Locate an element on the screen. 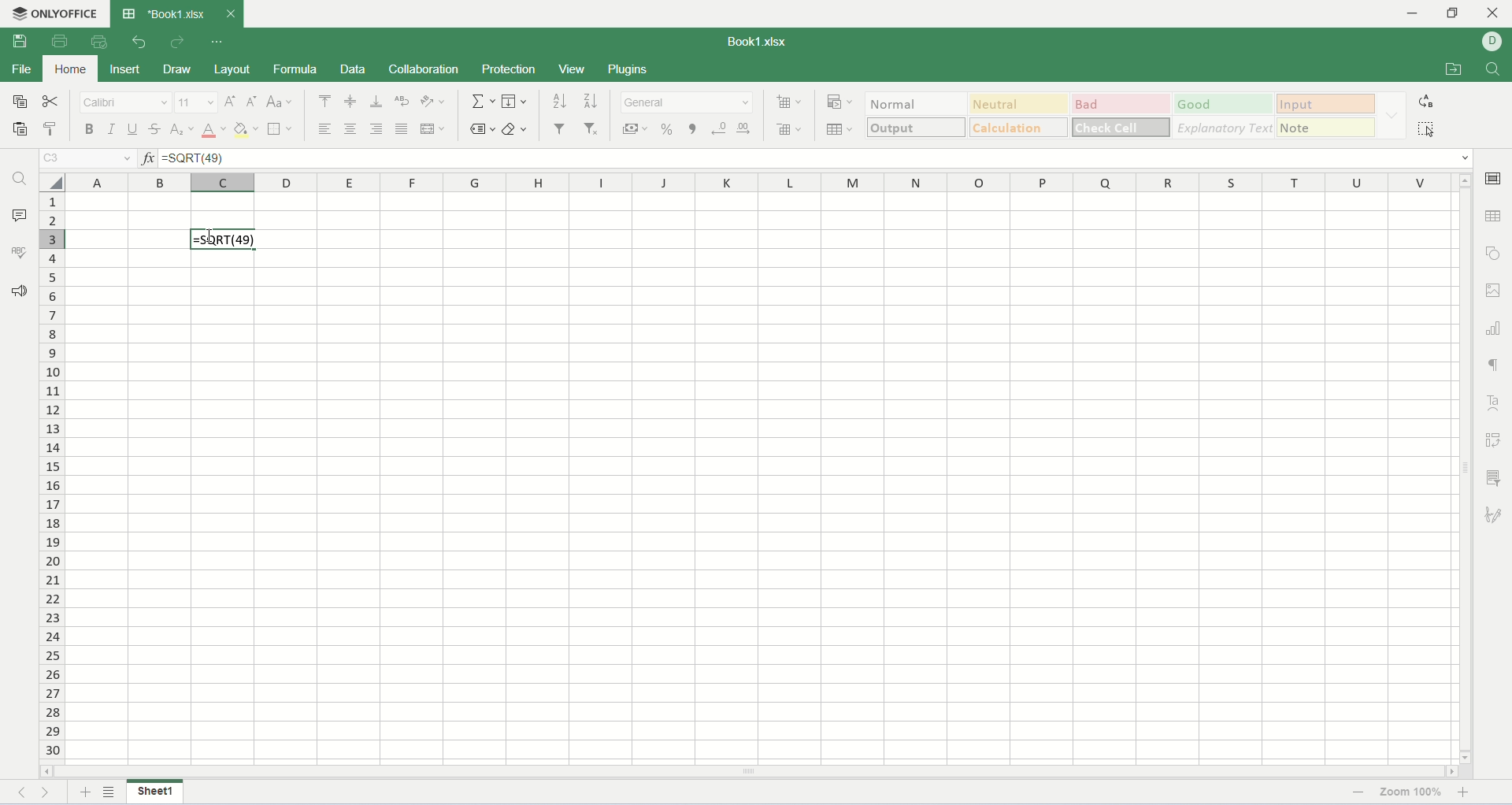  maximize is located at coordinates (1455, 13).